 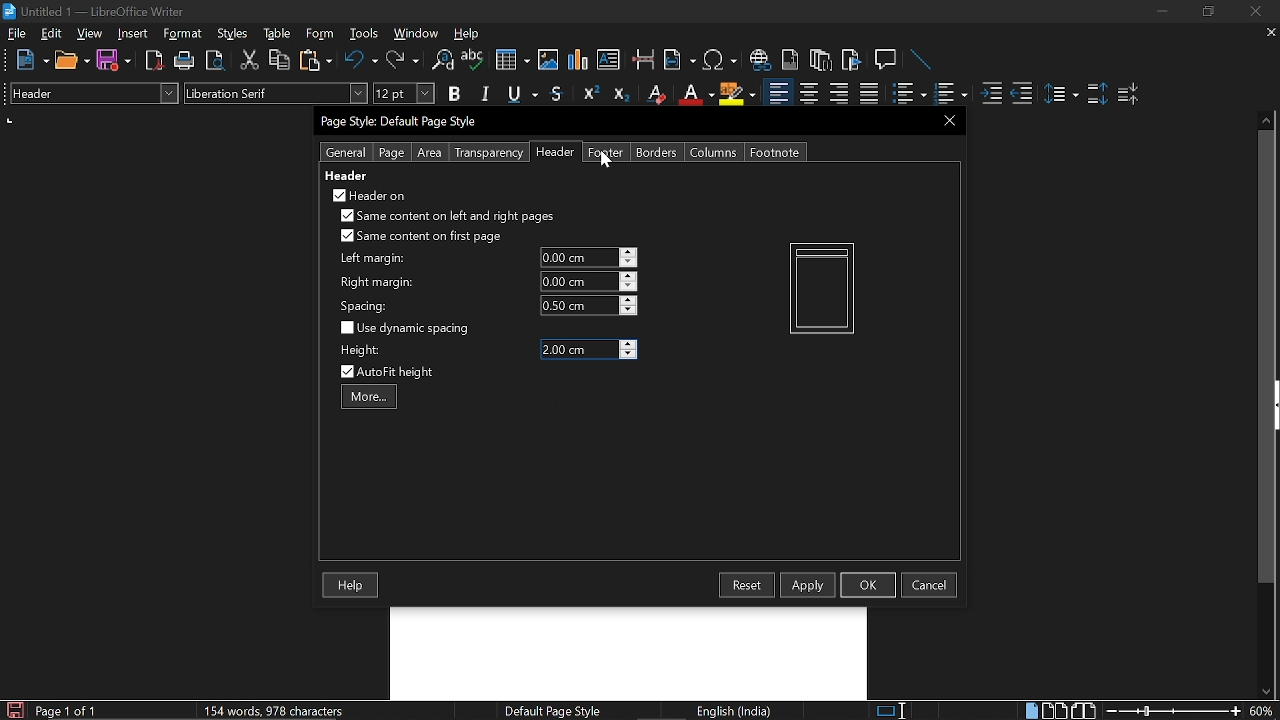 I want to click on toggle ordered list, so click(x=909, y=94).